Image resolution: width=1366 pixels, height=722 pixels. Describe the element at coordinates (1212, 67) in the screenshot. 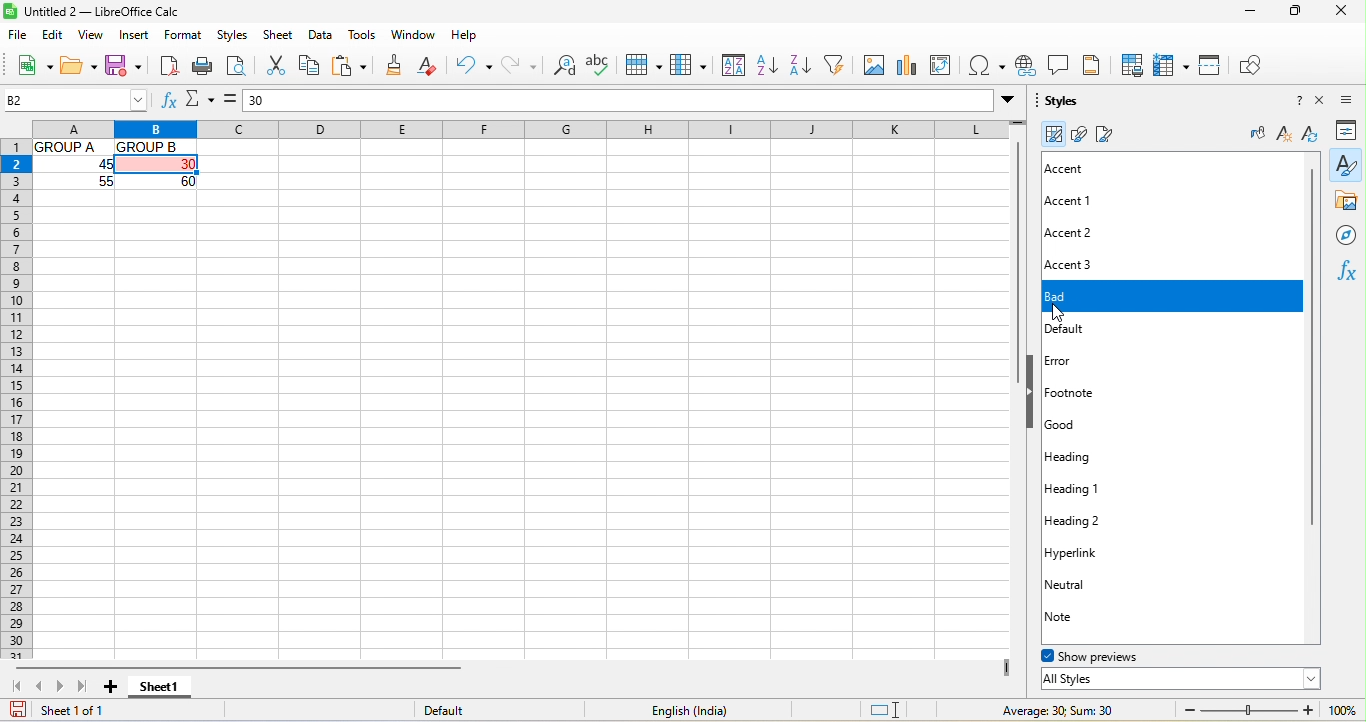

I see `split window` at that location.